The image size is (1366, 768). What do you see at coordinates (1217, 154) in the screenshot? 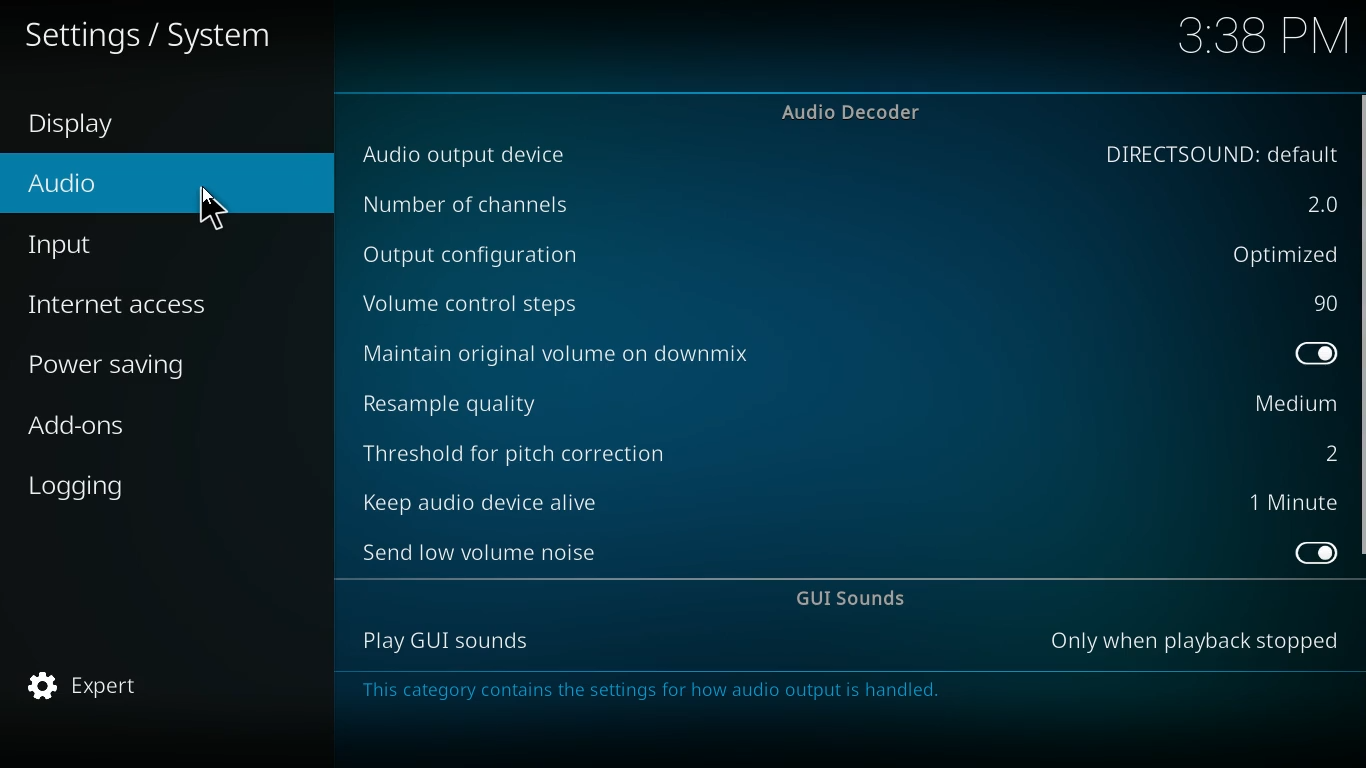
I see `directsound: default` at bounding box center [1217, 154].